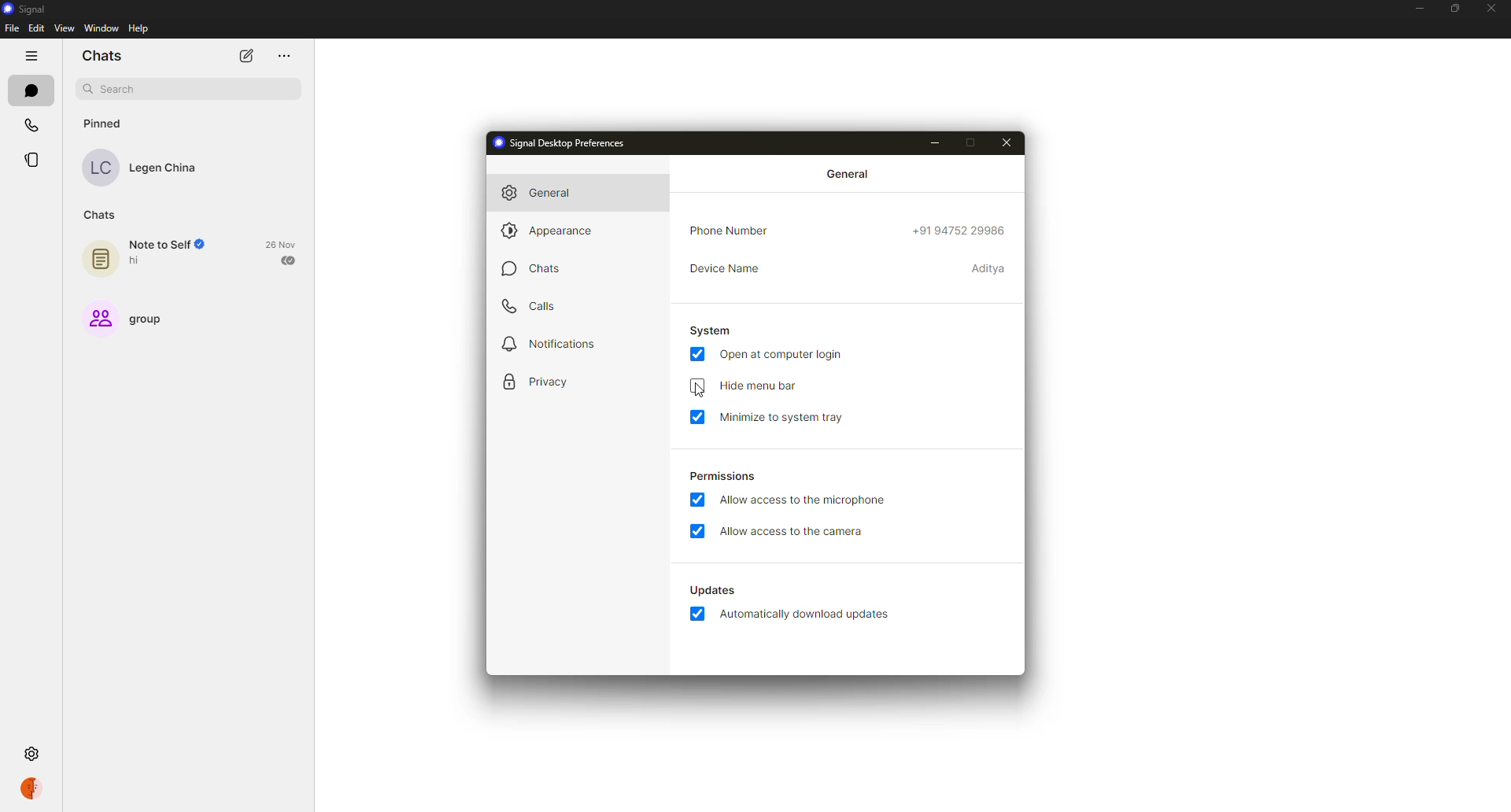 The image size is (1511, 812). Describe the element at coordinates (1415, 8) in the screenshot. I see `minimize` at that location.